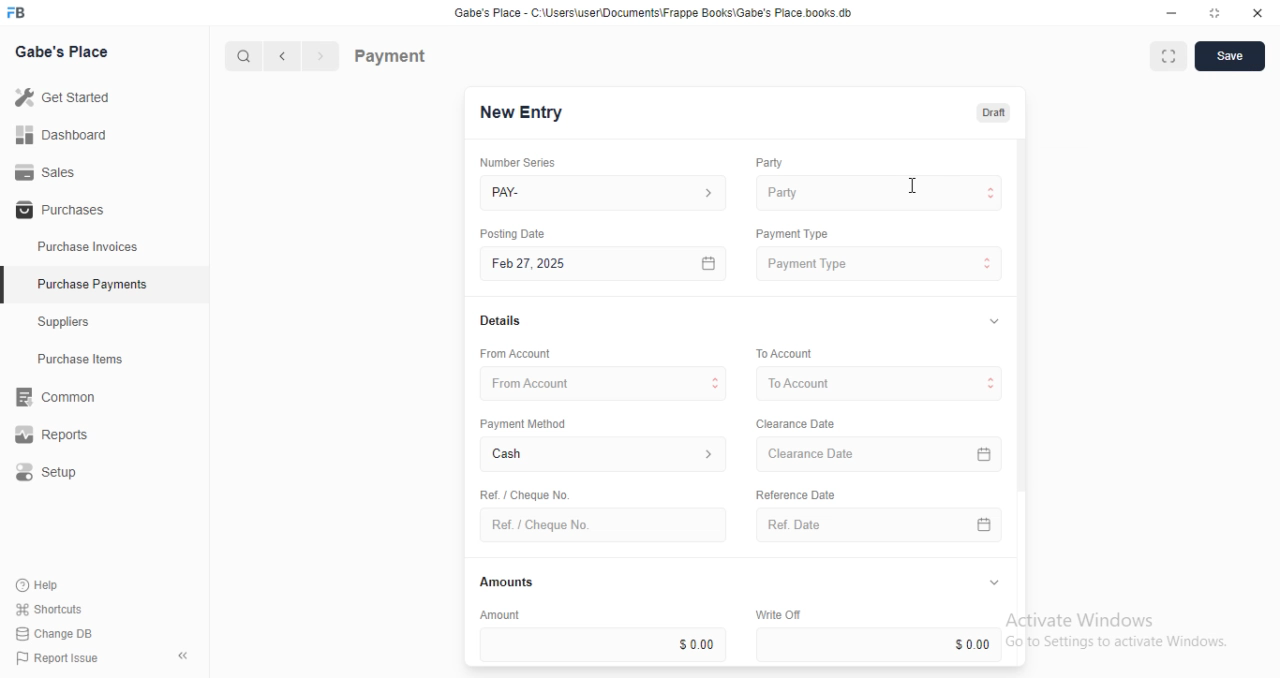  Describe the element at coordinates (1258, 13) in the screenshot. I see `close` at that location.